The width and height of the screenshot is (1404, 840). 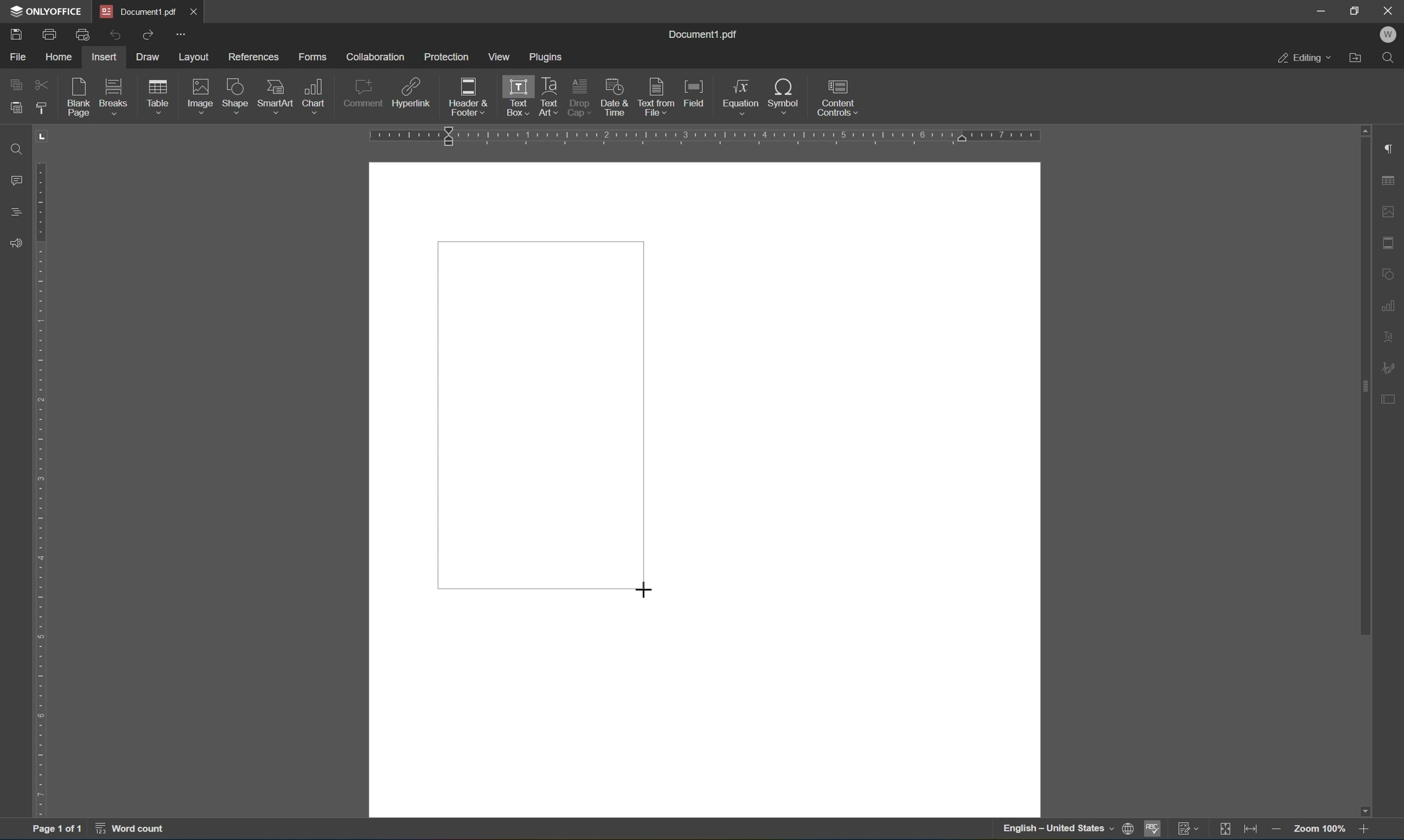 I want to click on zoom 100%, so click(x=1320, y=831).